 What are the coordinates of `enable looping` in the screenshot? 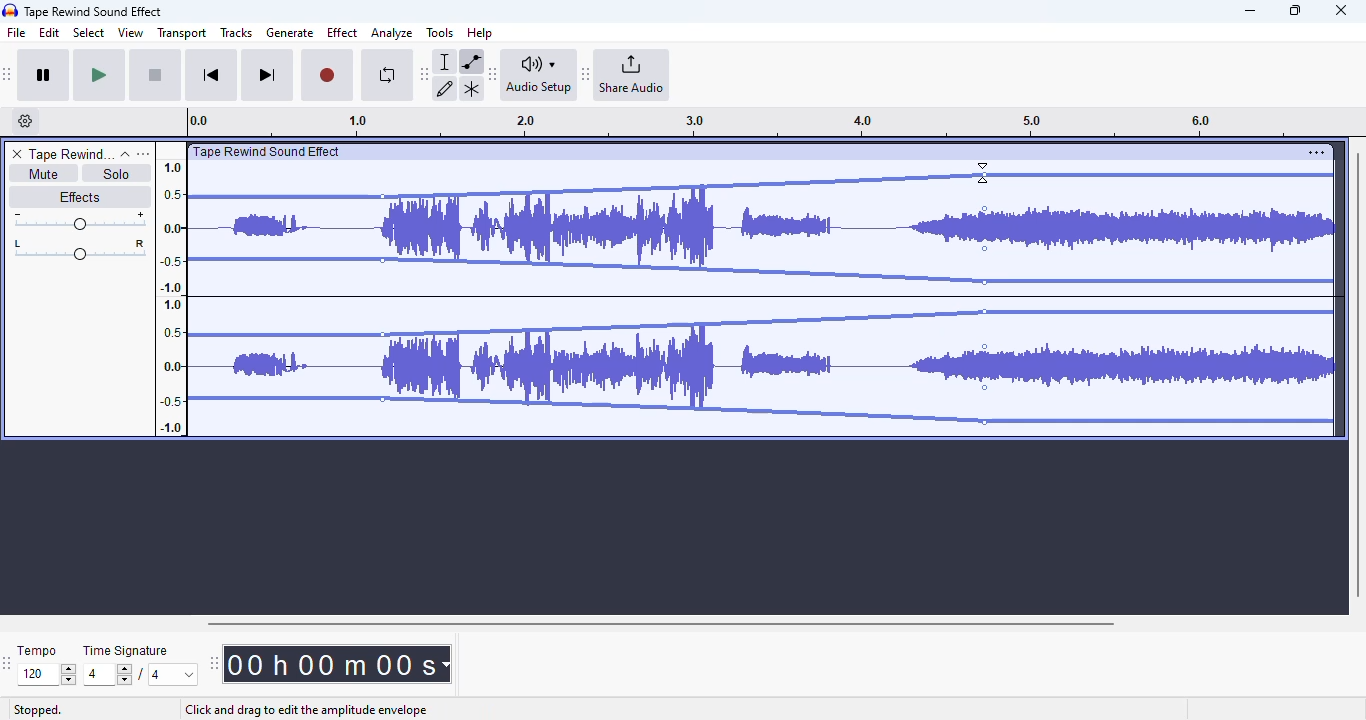 It's located at (386, 75).